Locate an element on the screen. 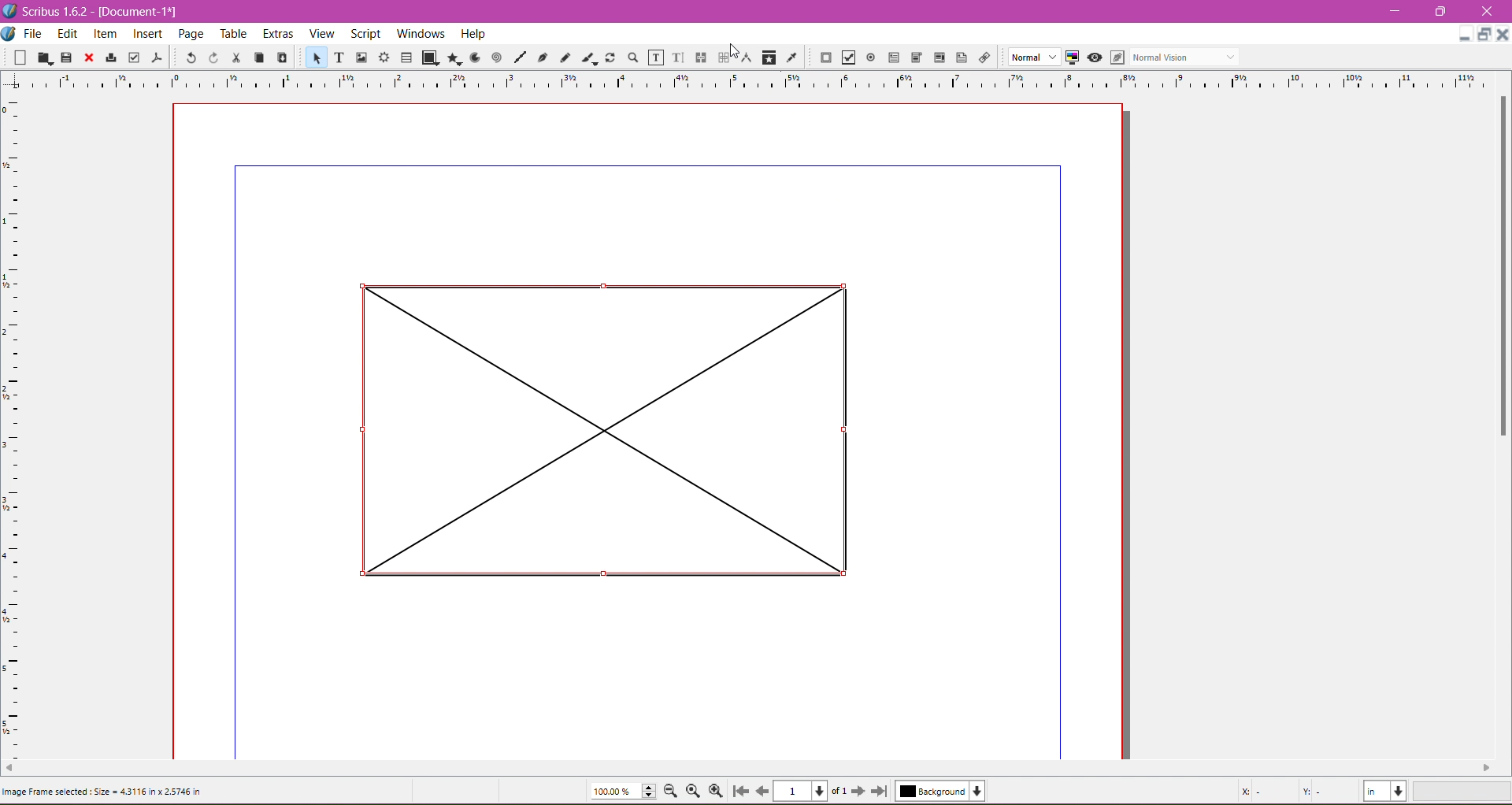 Image resolution: width=1512 pixels, height=805 pixels. Zoom to 100% is located at coordinates (692, 792).